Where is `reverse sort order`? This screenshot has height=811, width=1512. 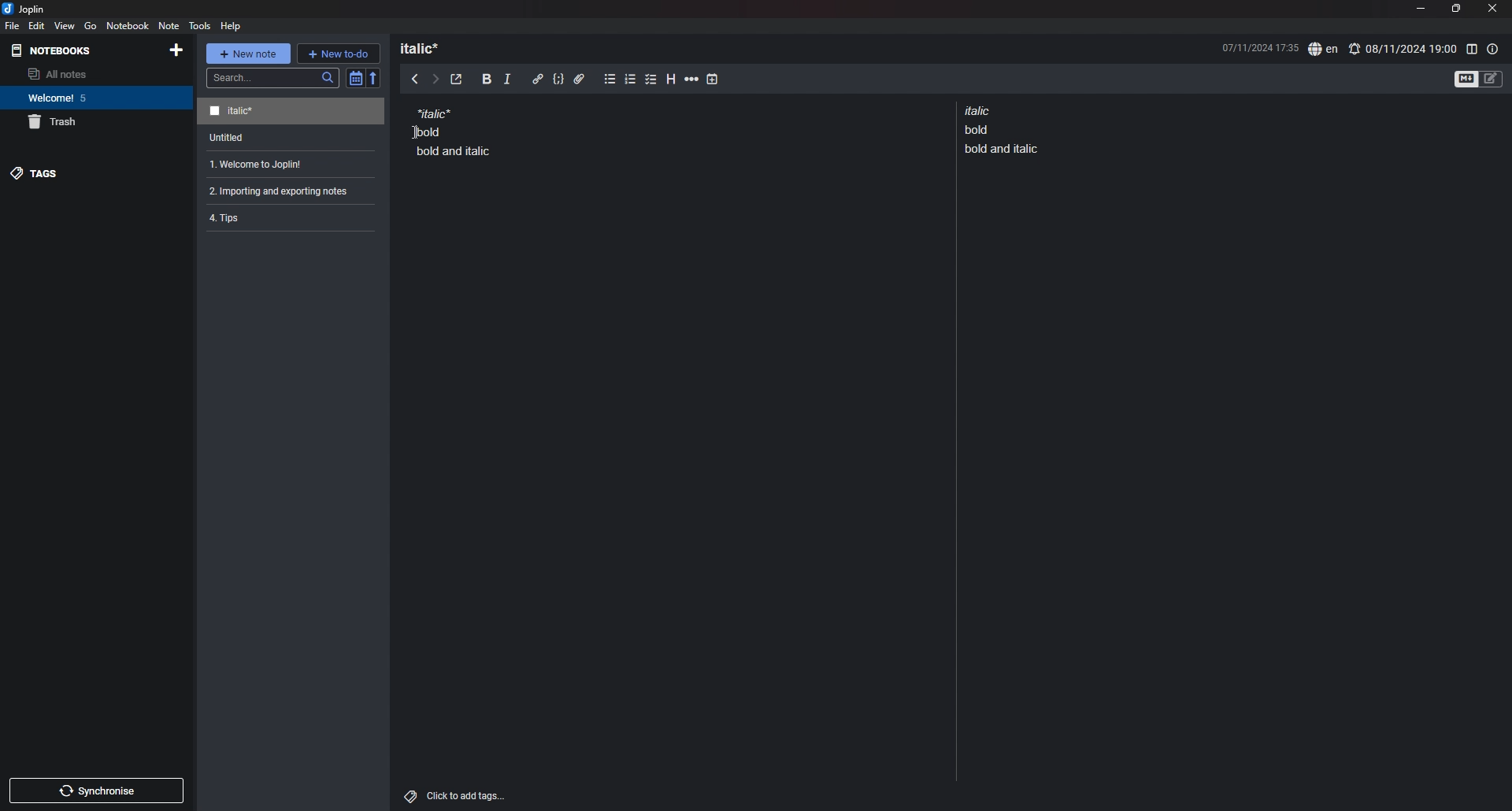
reverse sort order is located at coordinates (374, 77).